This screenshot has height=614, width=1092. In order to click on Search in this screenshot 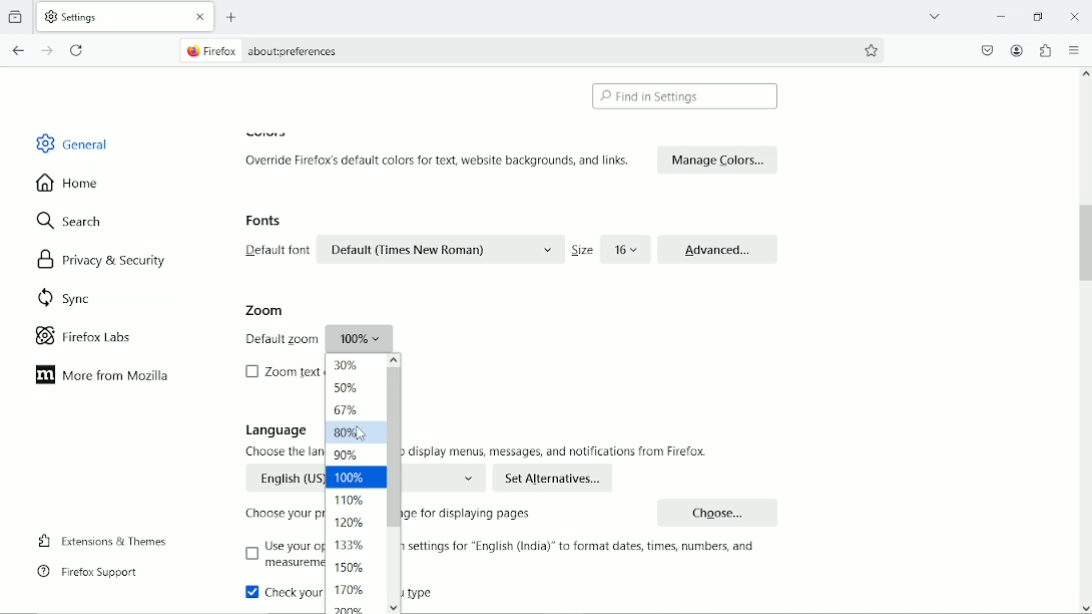, I will do `click(70, 222)`.